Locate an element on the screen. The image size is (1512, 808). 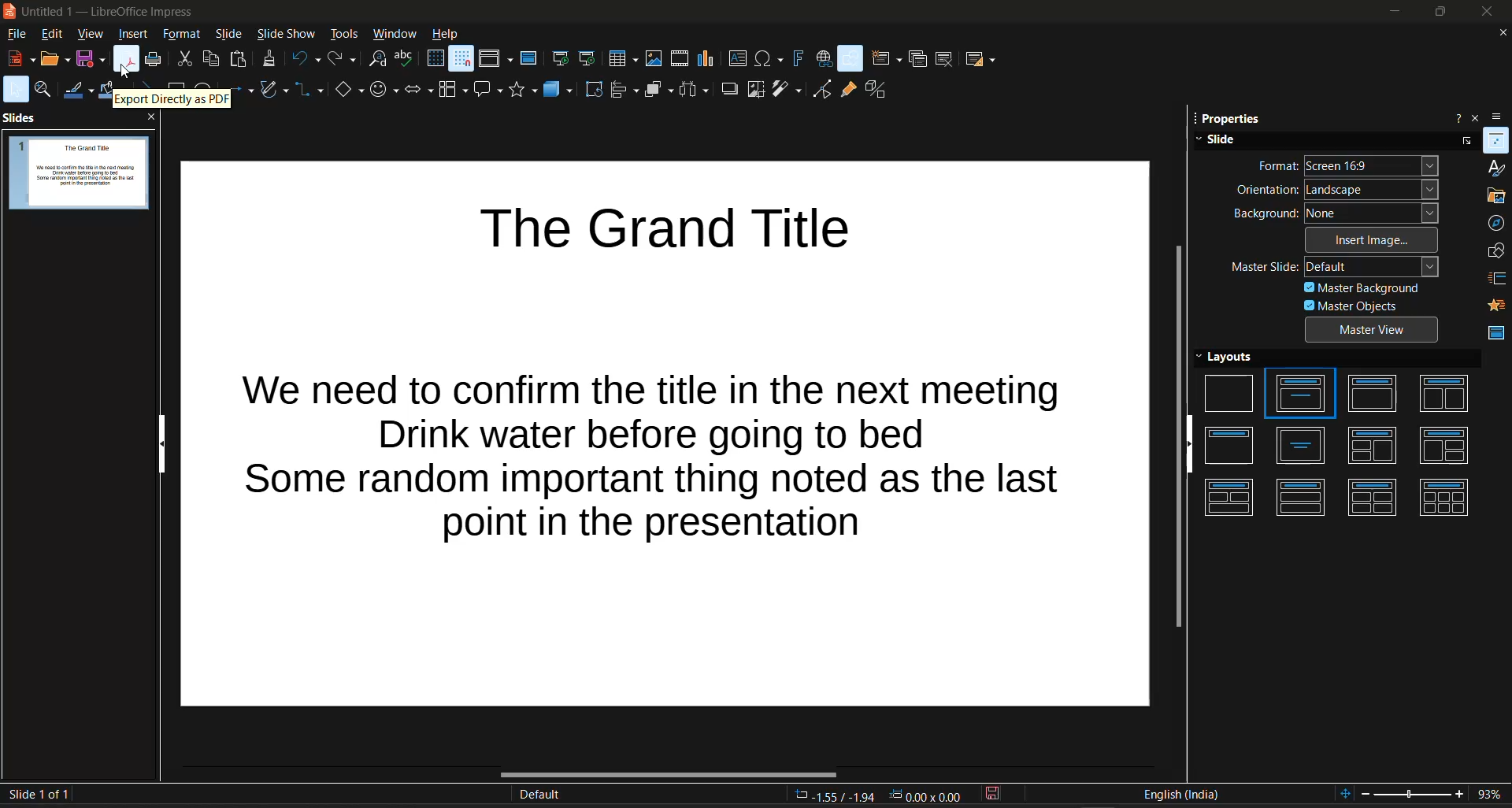
view is located at coordinates (89, 35).